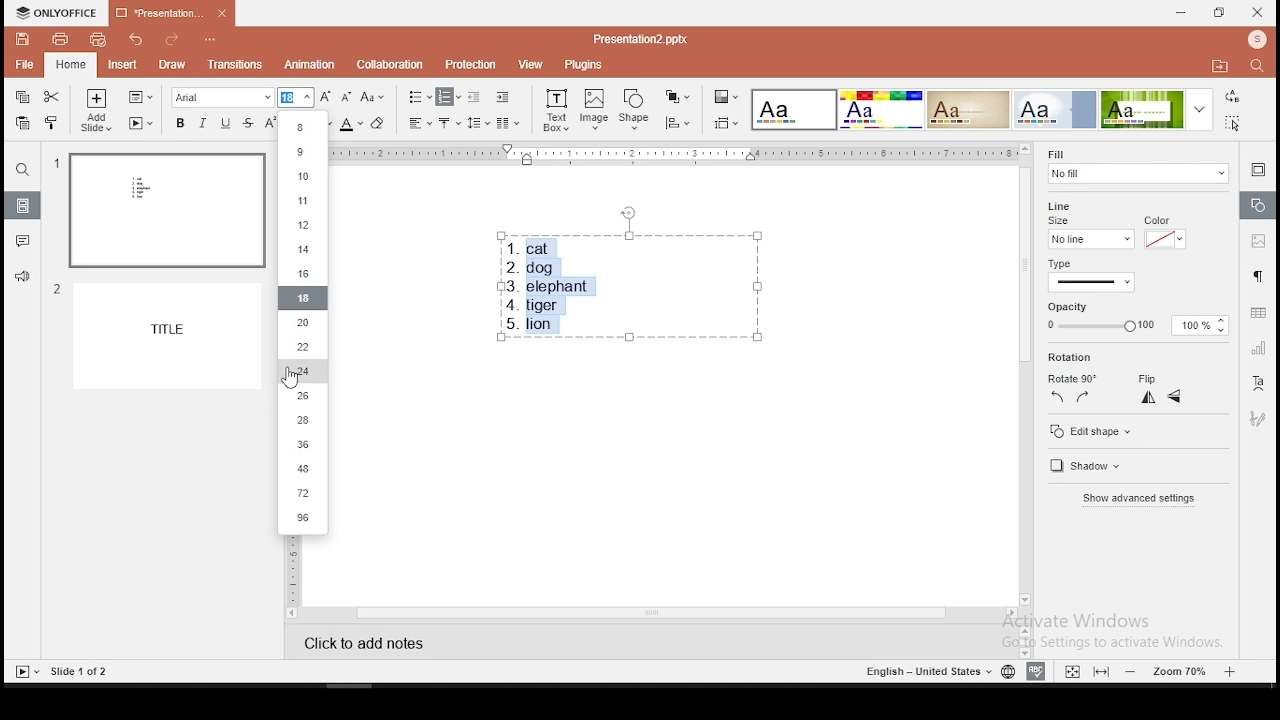  I want to click on minimize, so click(1182, 13).